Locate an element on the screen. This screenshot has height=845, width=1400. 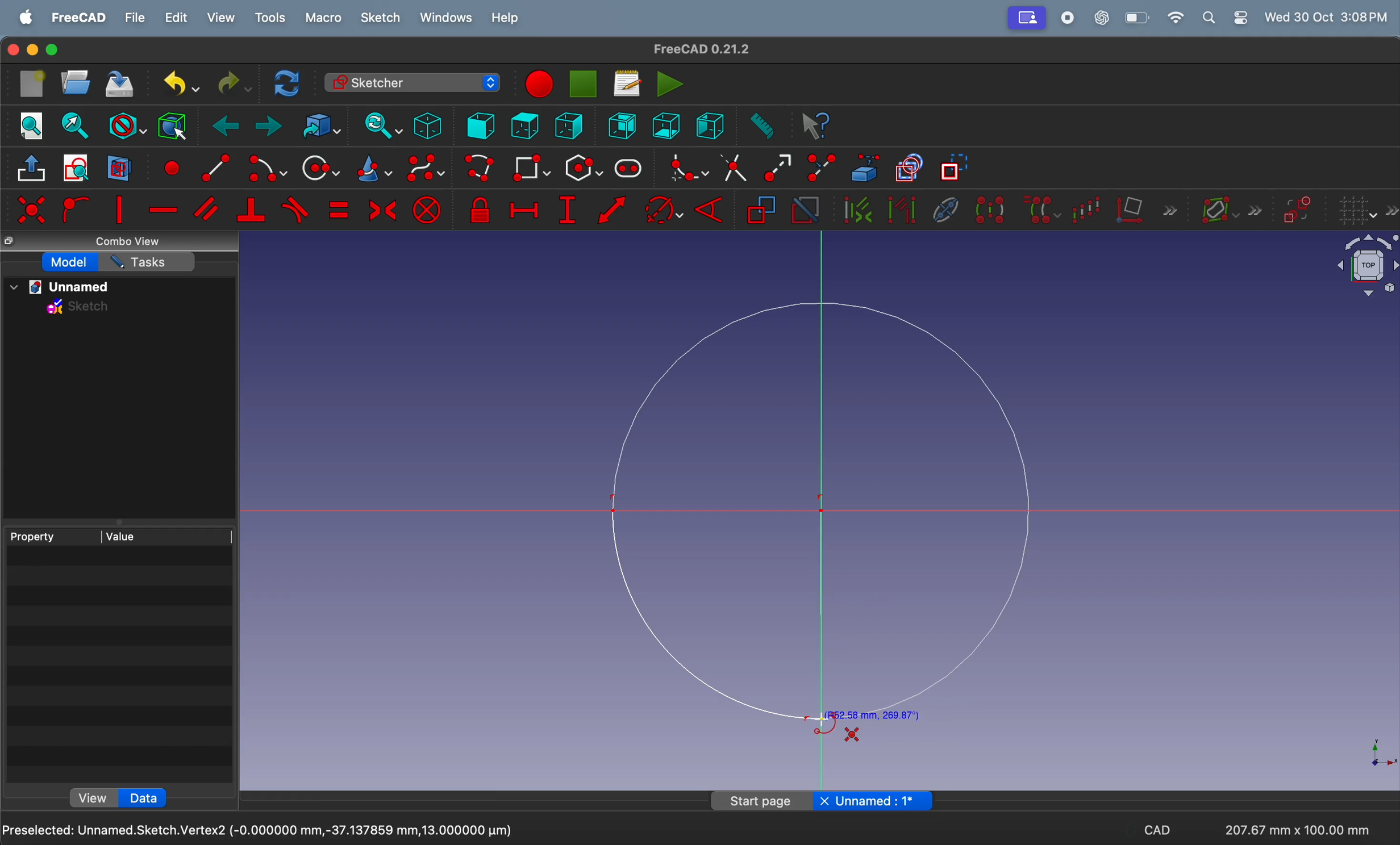
trim edge  is located at coordinates (733, 167).